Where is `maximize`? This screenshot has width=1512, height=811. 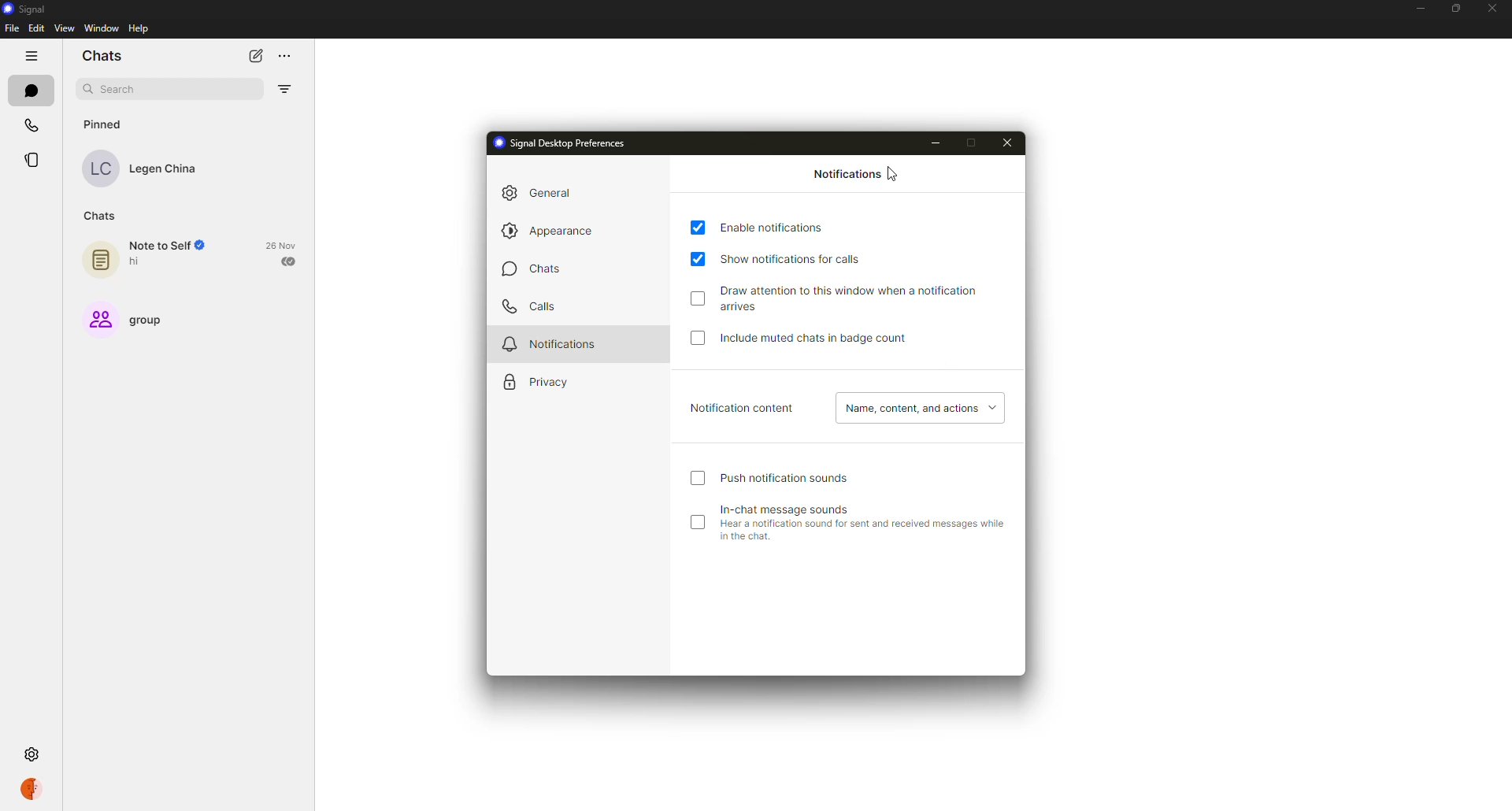 maximize is located at coordinates (1456, 8).